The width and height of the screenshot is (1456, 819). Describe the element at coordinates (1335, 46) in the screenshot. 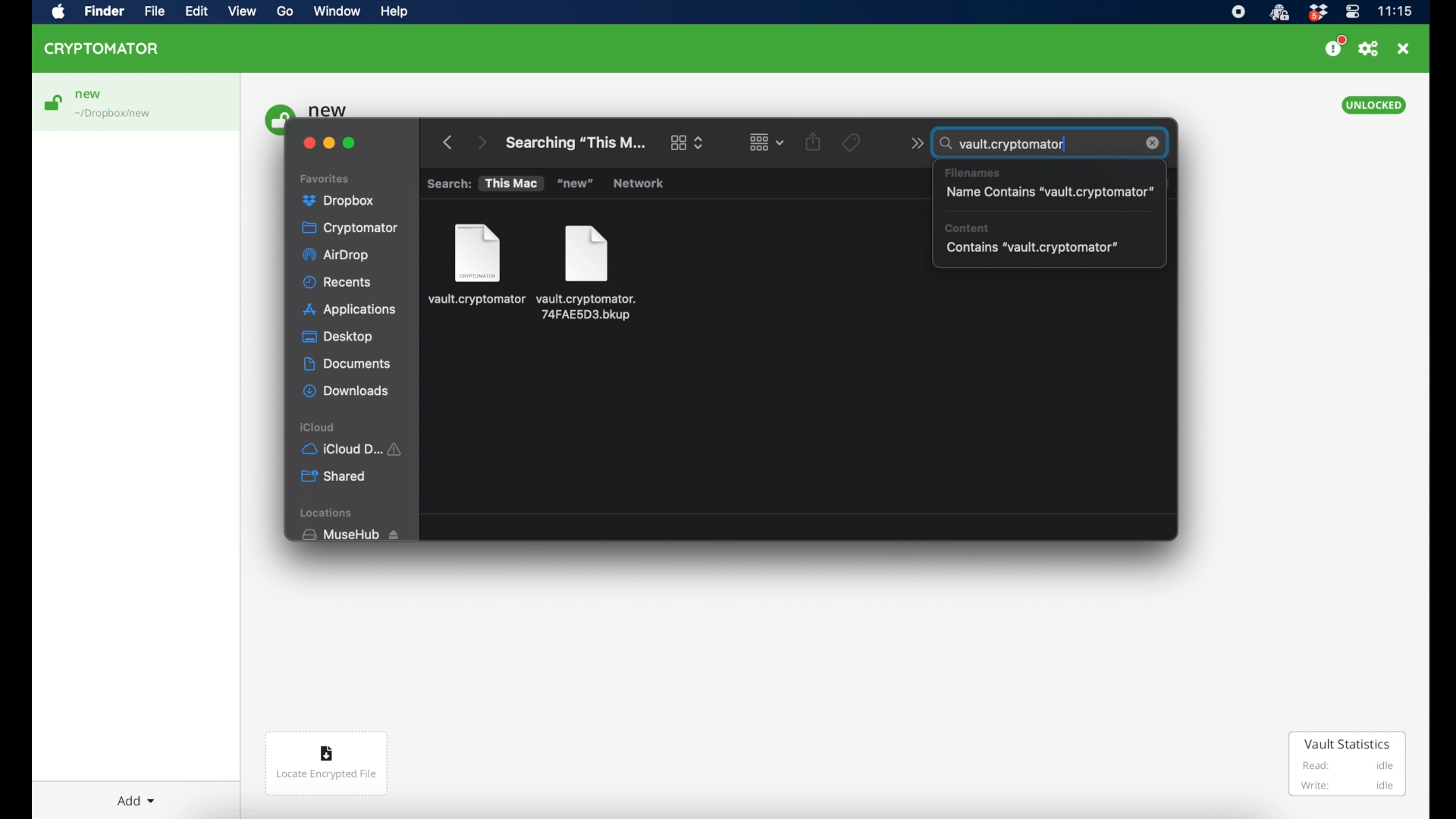

I see `support us` at that location.